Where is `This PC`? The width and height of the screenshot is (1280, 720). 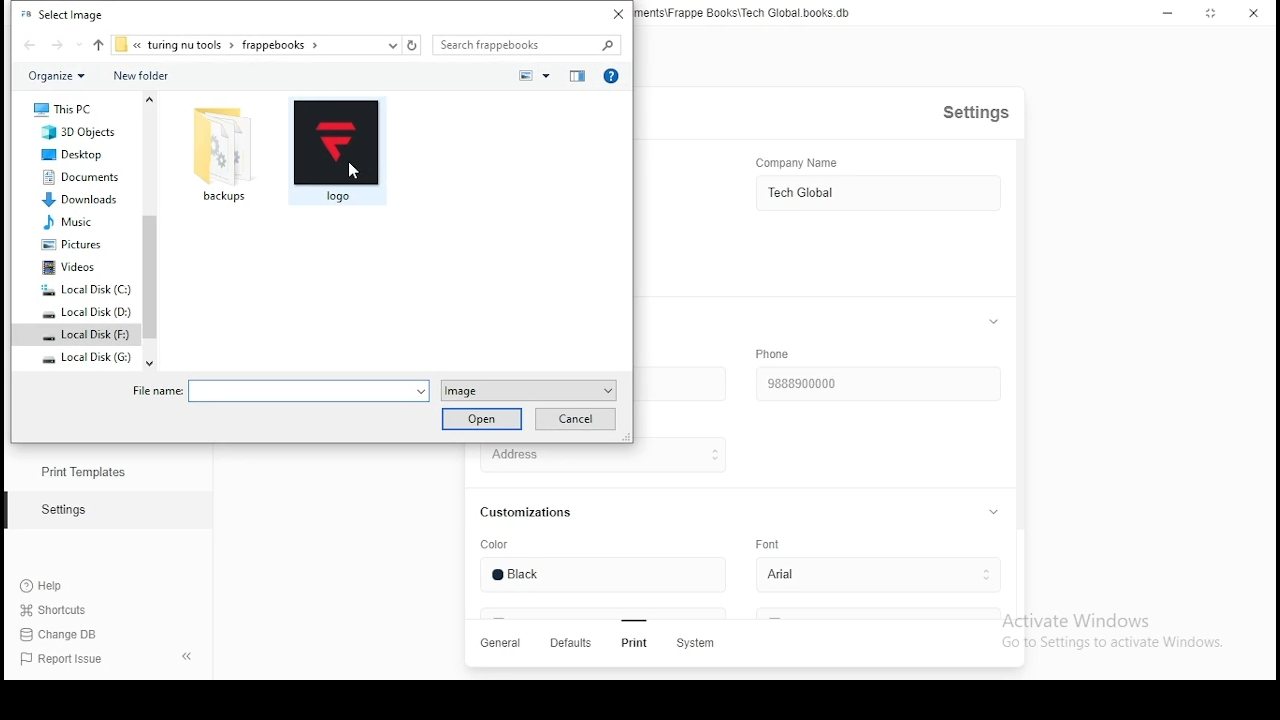 This PC is located at coordinates (65, 110).